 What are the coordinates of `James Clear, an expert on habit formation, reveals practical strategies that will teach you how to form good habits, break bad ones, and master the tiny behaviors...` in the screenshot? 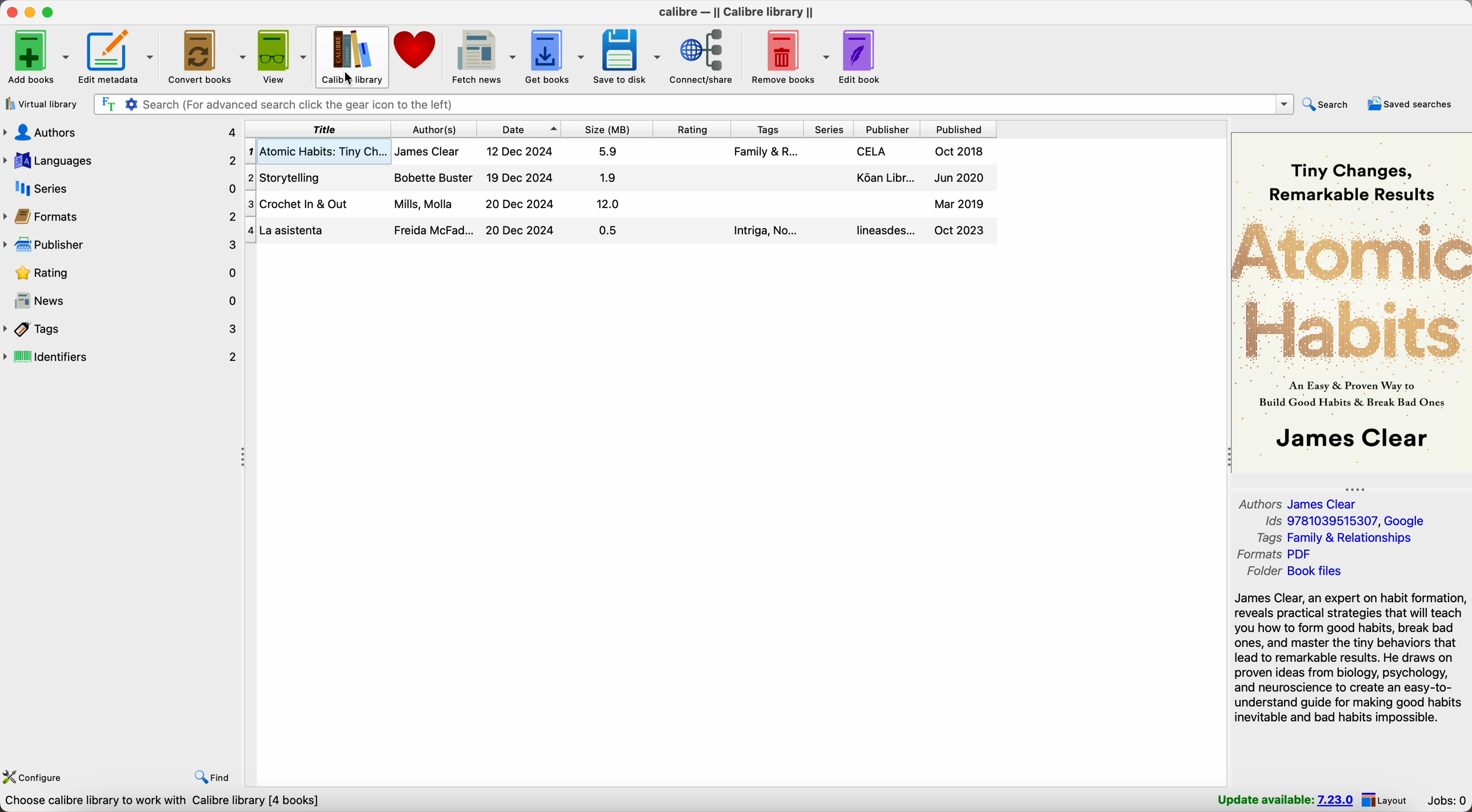 It's located at (1351, 658).